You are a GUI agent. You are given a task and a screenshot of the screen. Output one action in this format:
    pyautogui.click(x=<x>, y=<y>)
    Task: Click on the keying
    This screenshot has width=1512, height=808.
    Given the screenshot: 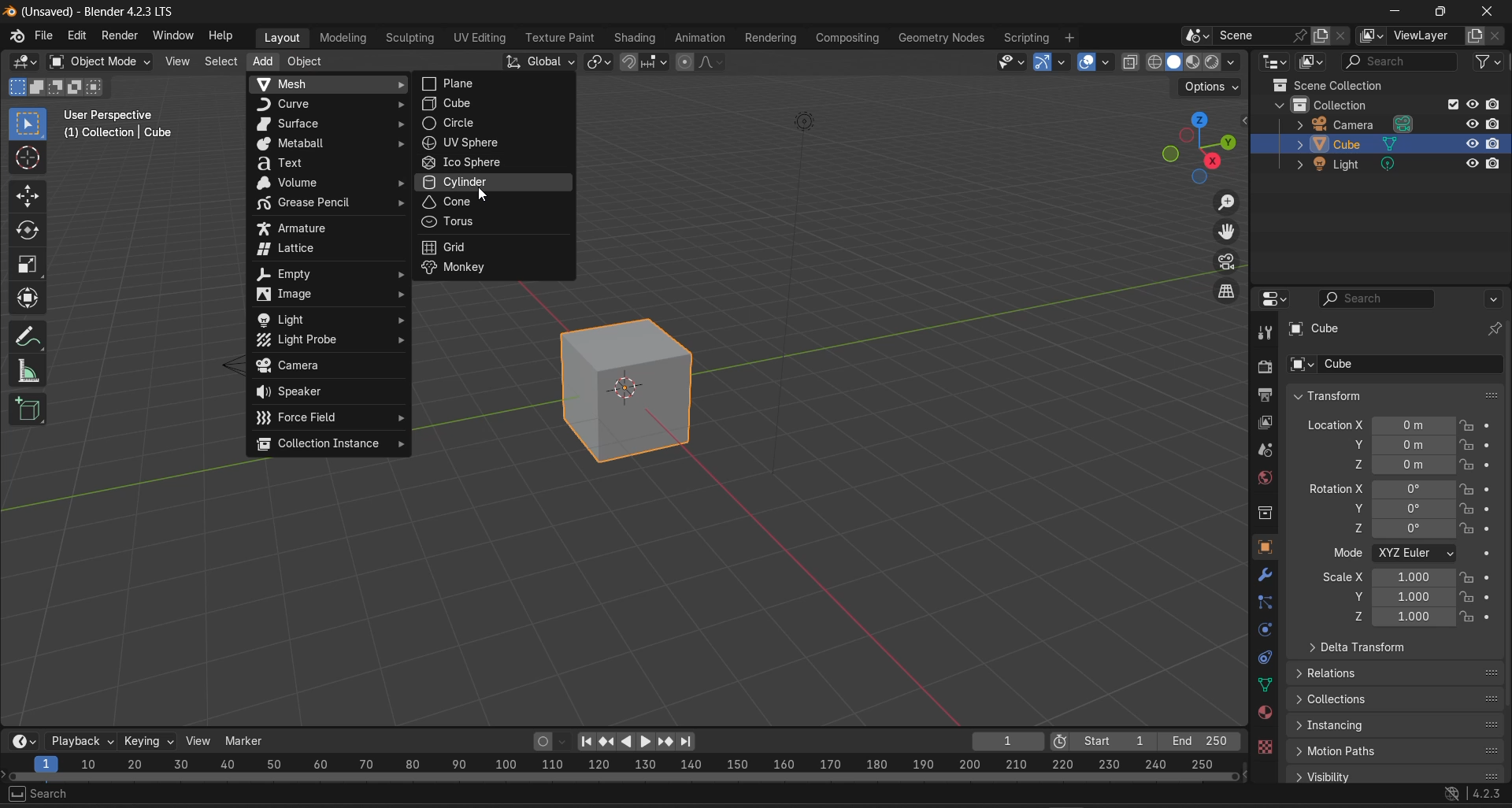 What is the action you would take?
    pyautogui.click(x=150, y=743)
    